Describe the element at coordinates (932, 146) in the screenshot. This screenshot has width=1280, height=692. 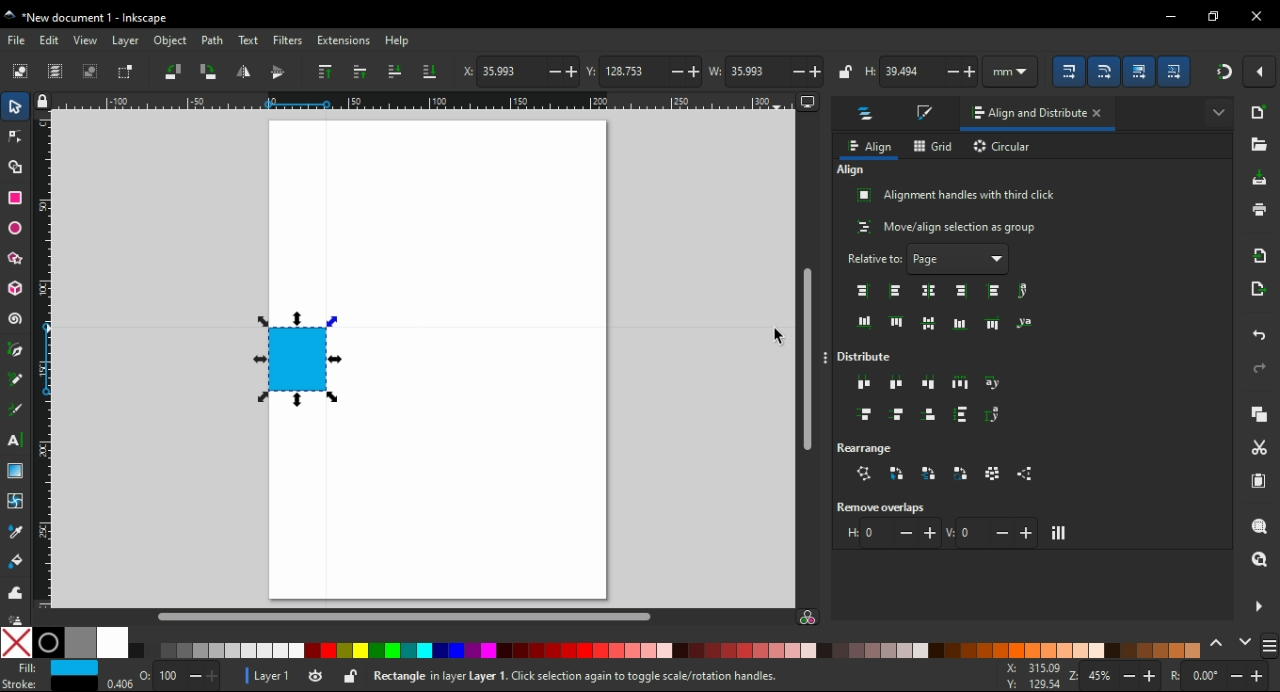
I see `grid` at that location.